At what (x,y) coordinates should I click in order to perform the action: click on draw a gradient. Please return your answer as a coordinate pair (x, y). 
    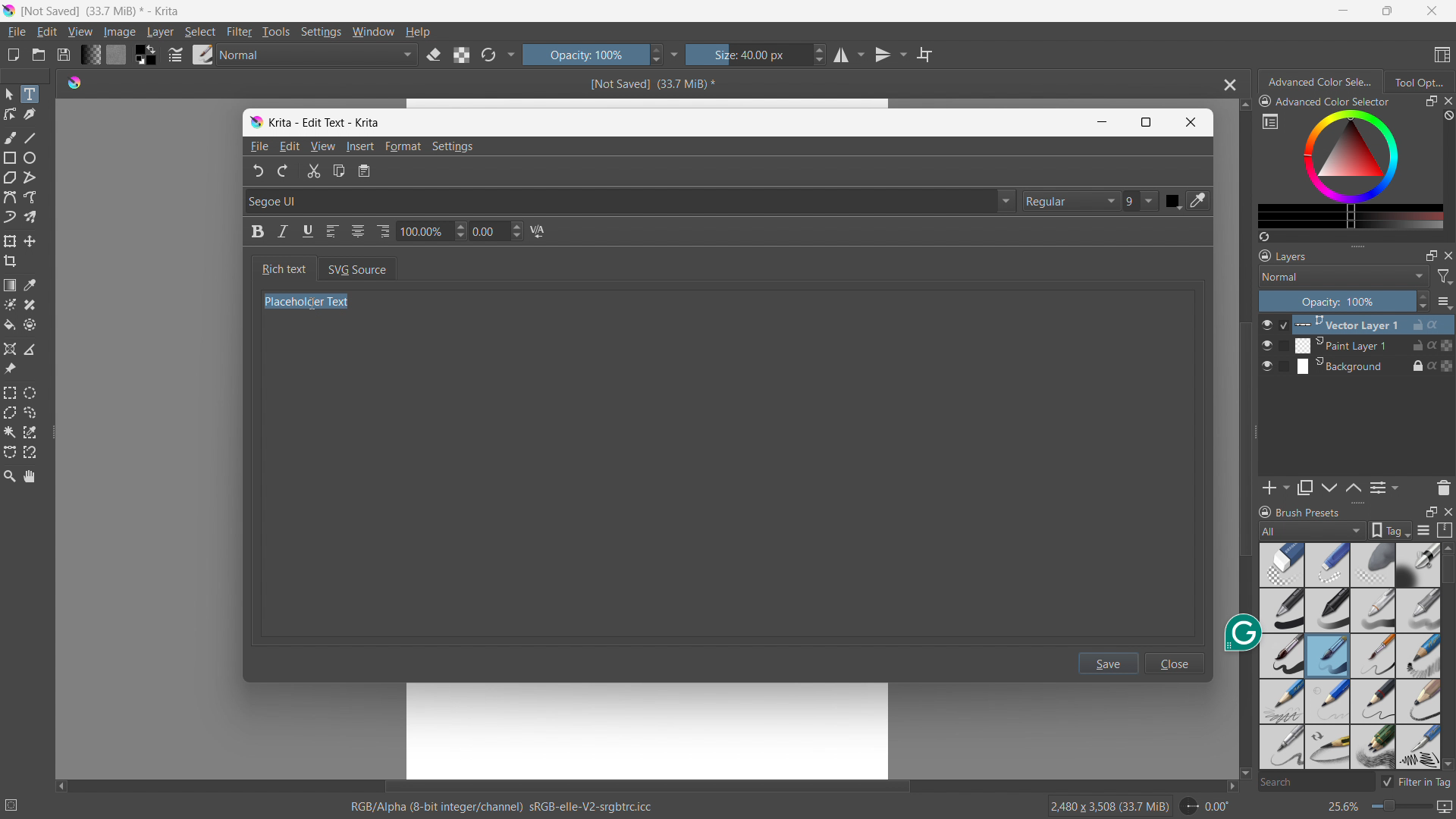
    Looking at the image, I should click on (10, 285).